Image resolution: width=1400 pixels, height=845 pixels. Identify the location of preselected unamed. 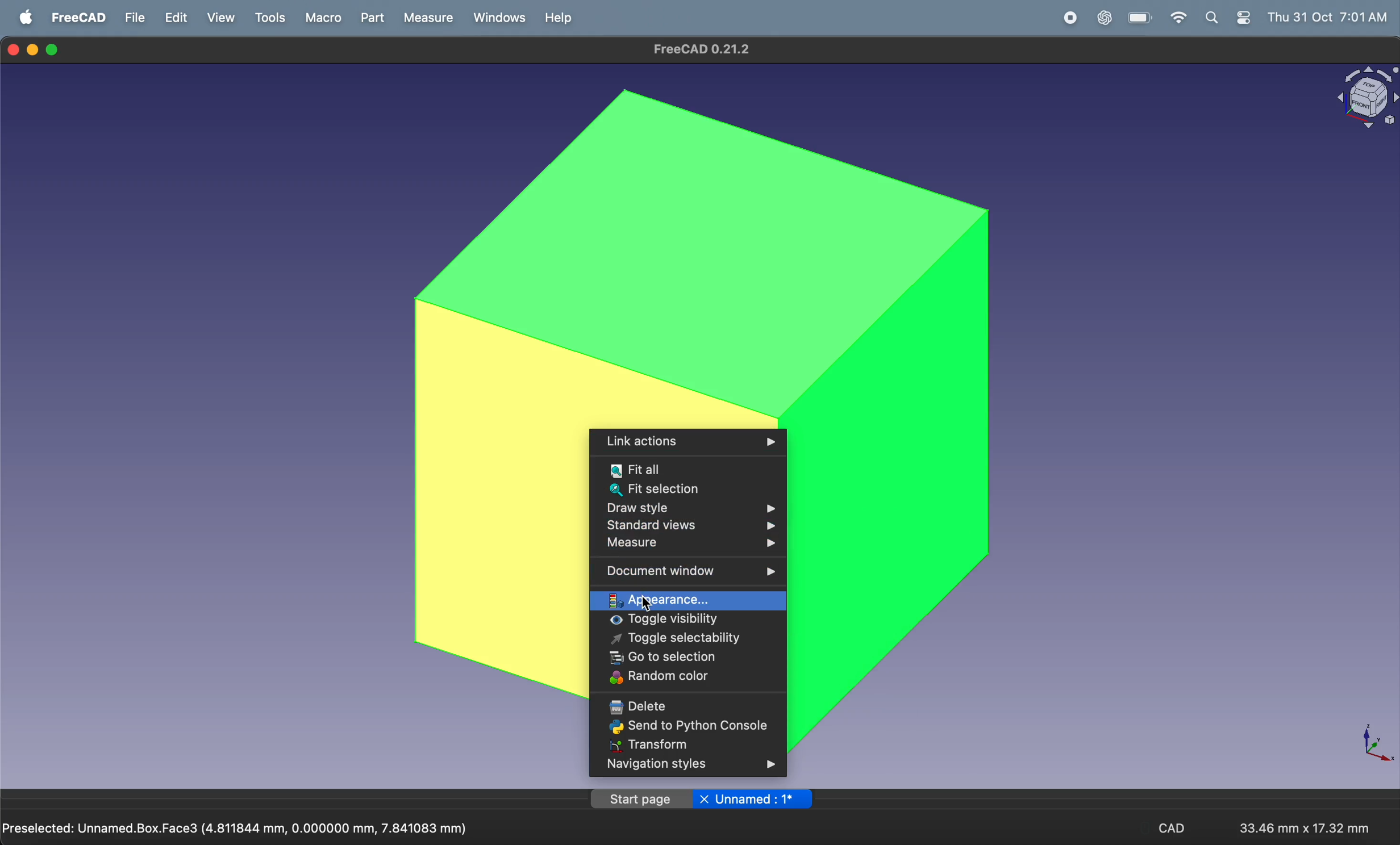
(240, 826).